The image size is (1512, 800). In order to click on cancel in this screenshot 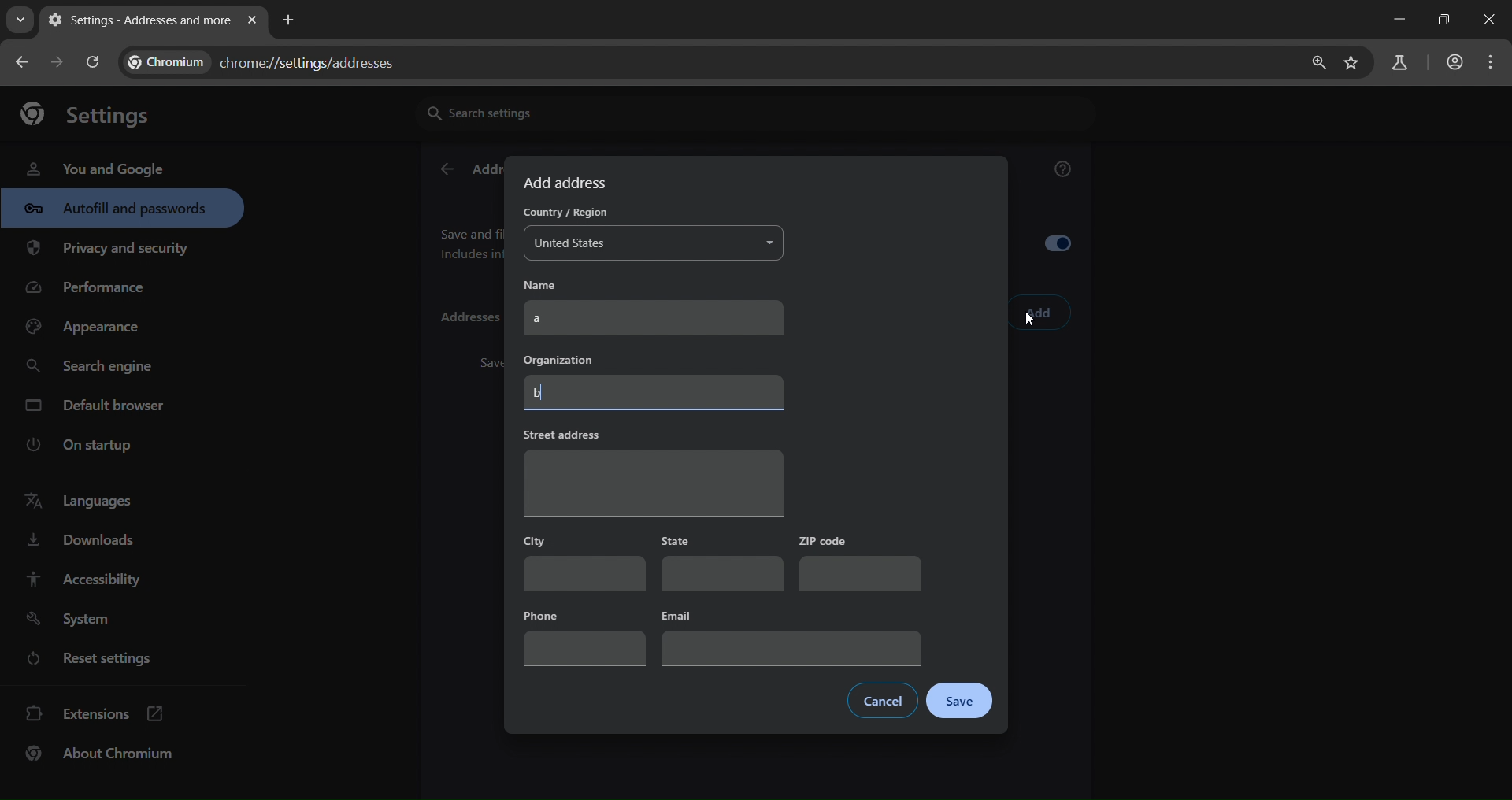, I will do `click(882, 701)`.